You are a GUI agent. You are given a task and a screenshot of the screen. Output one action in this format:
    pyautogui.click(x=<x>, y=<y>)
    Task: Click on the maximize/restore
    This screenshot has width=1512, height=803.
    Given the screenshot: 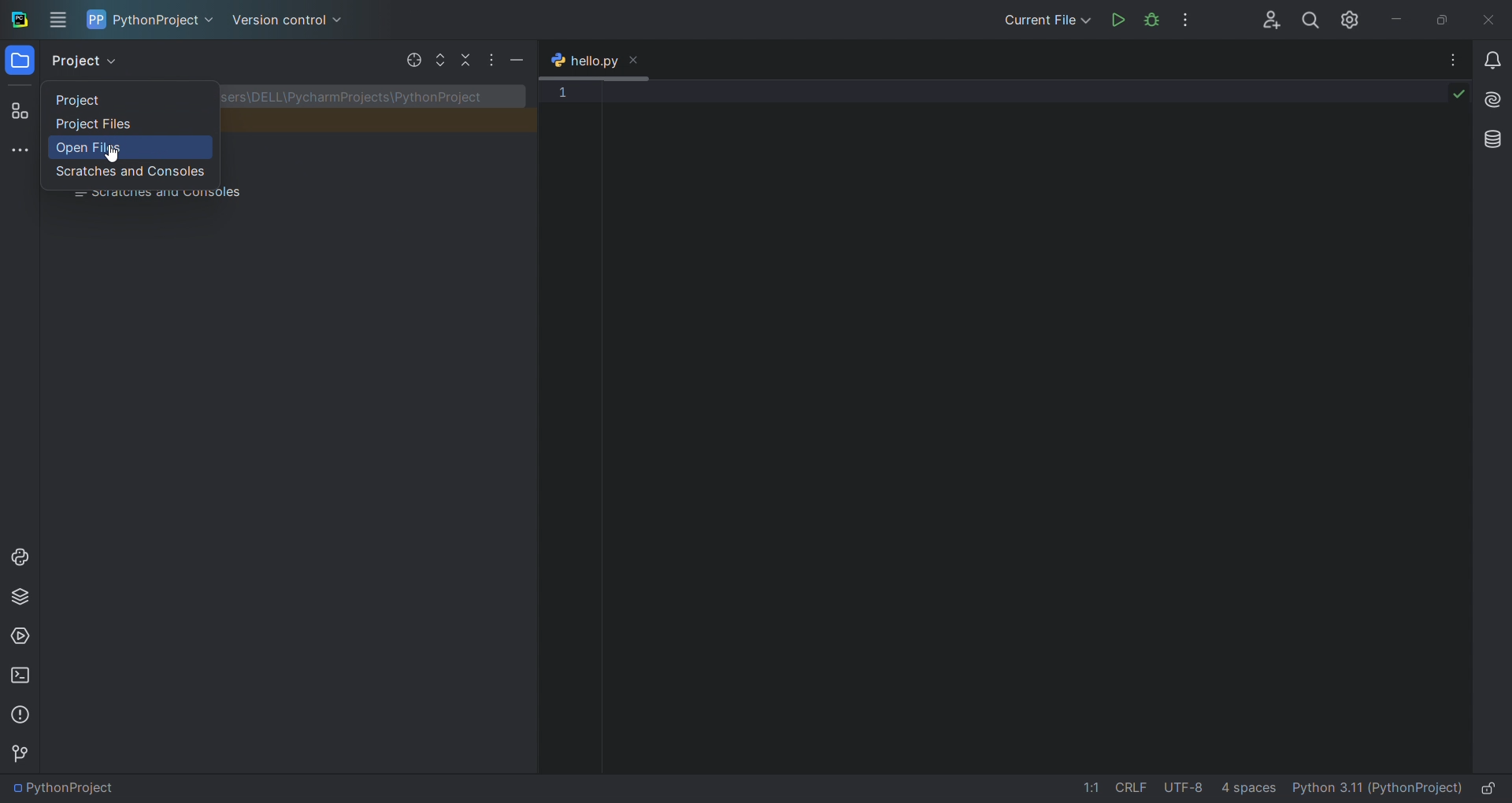 What is the action you would take?
    pyautogui.click(x=1438, y=18)
    